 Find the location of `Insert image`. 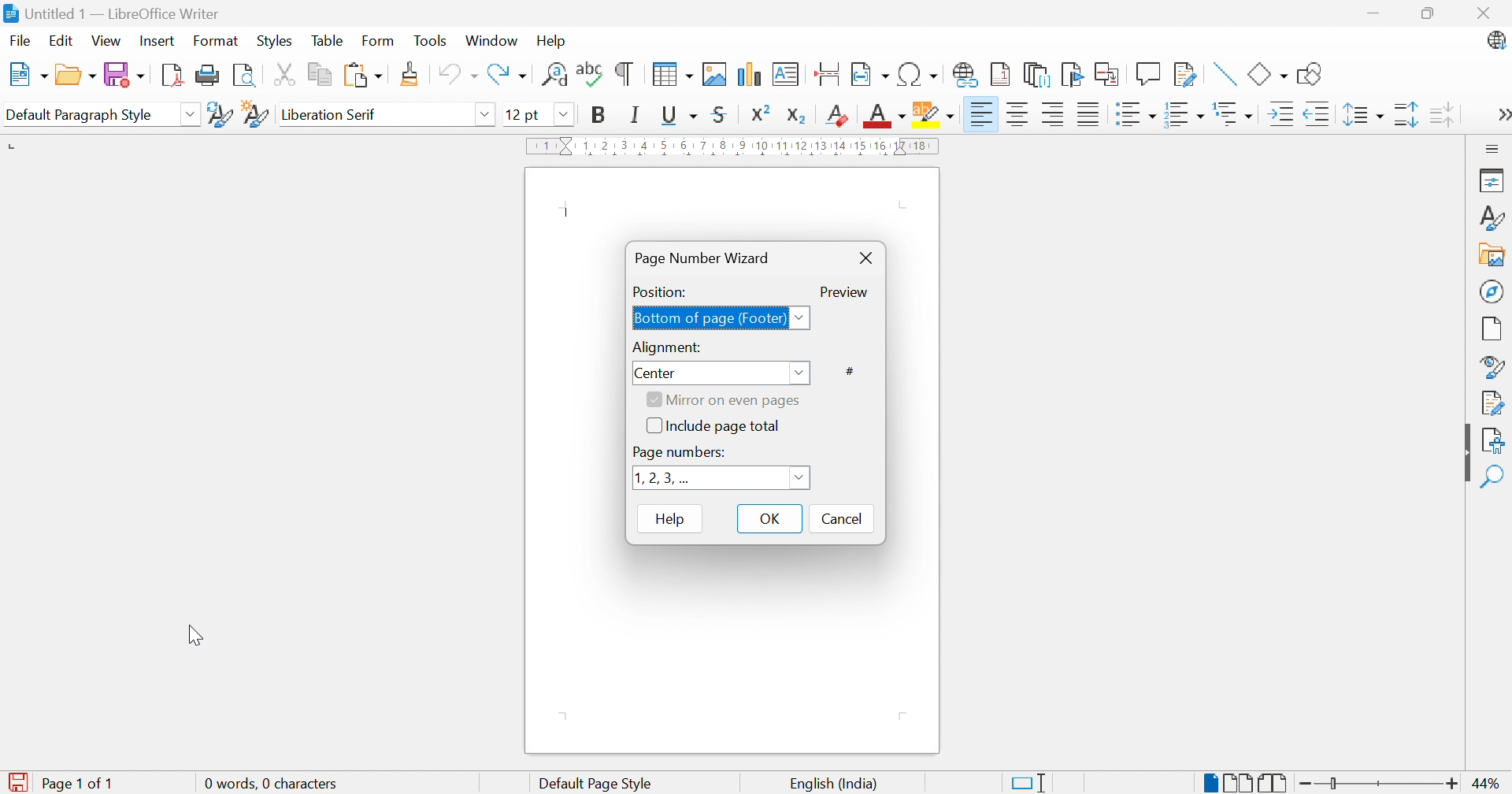

Insert image is located at coordinates (713, 74).